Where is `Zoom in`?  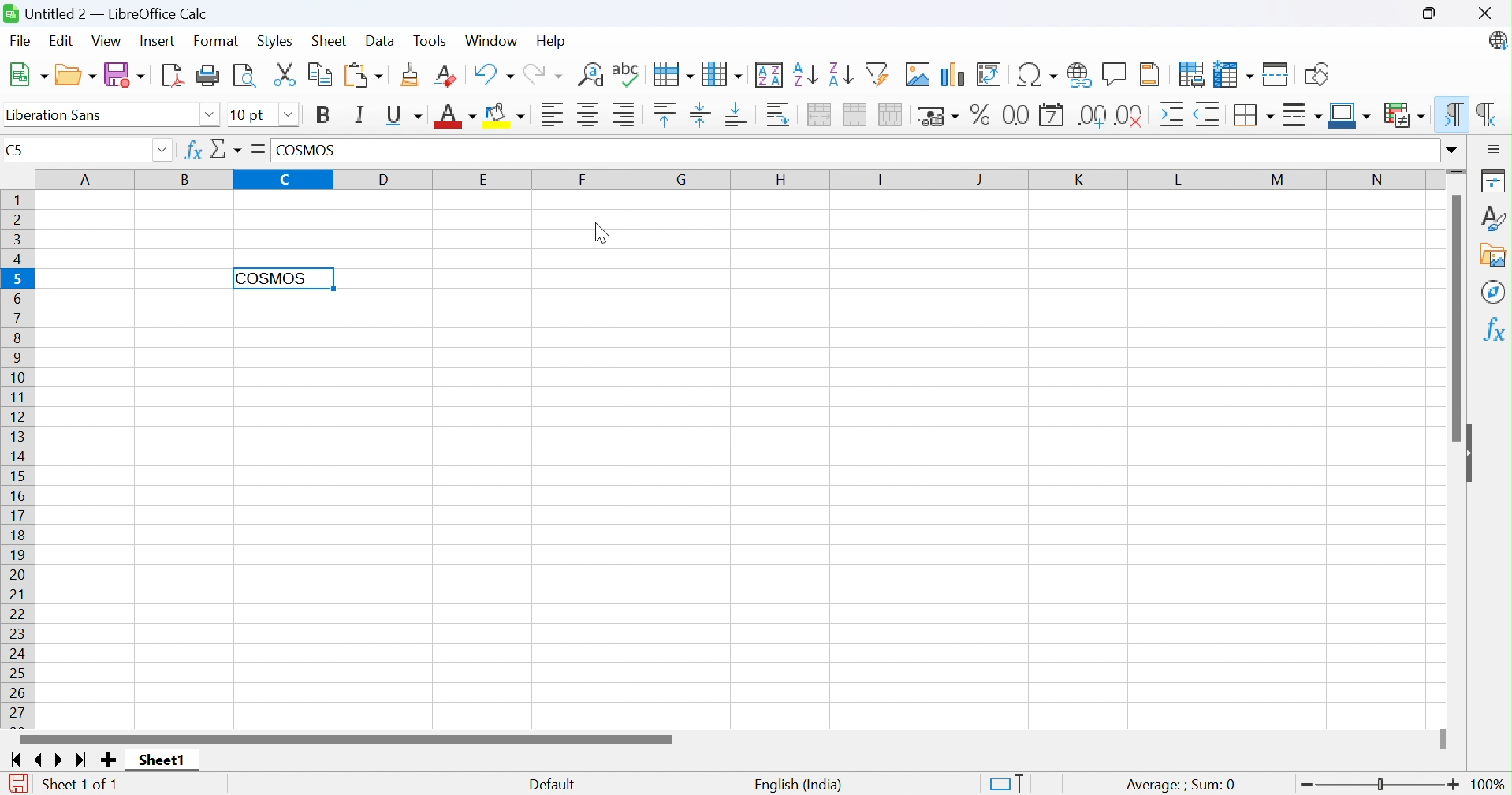 Zoom in is located at coordinates (1453, 786).